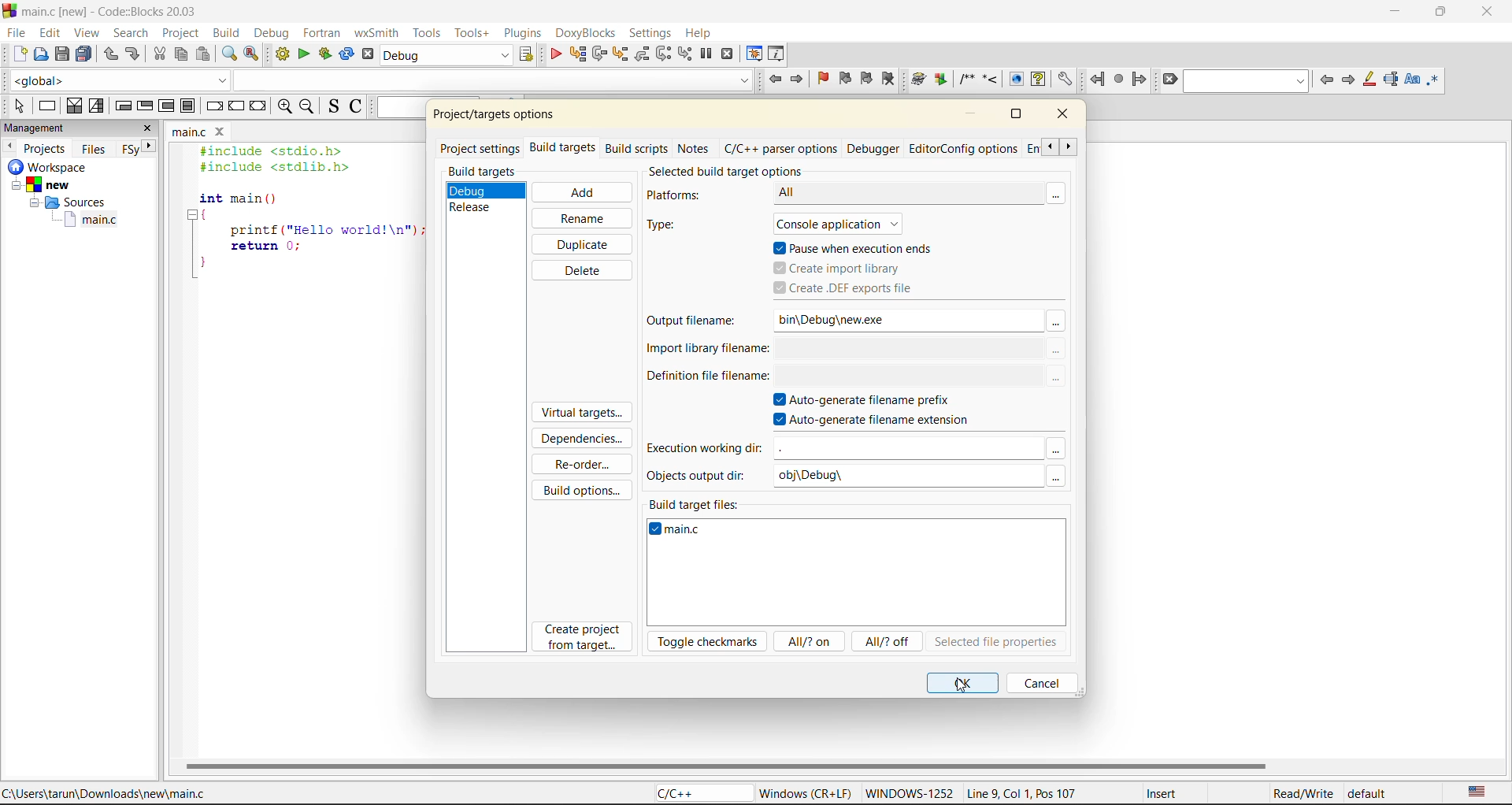  Describe the element at coordinates (283, 107) in the screenshot. I see `zoom in` at that location.